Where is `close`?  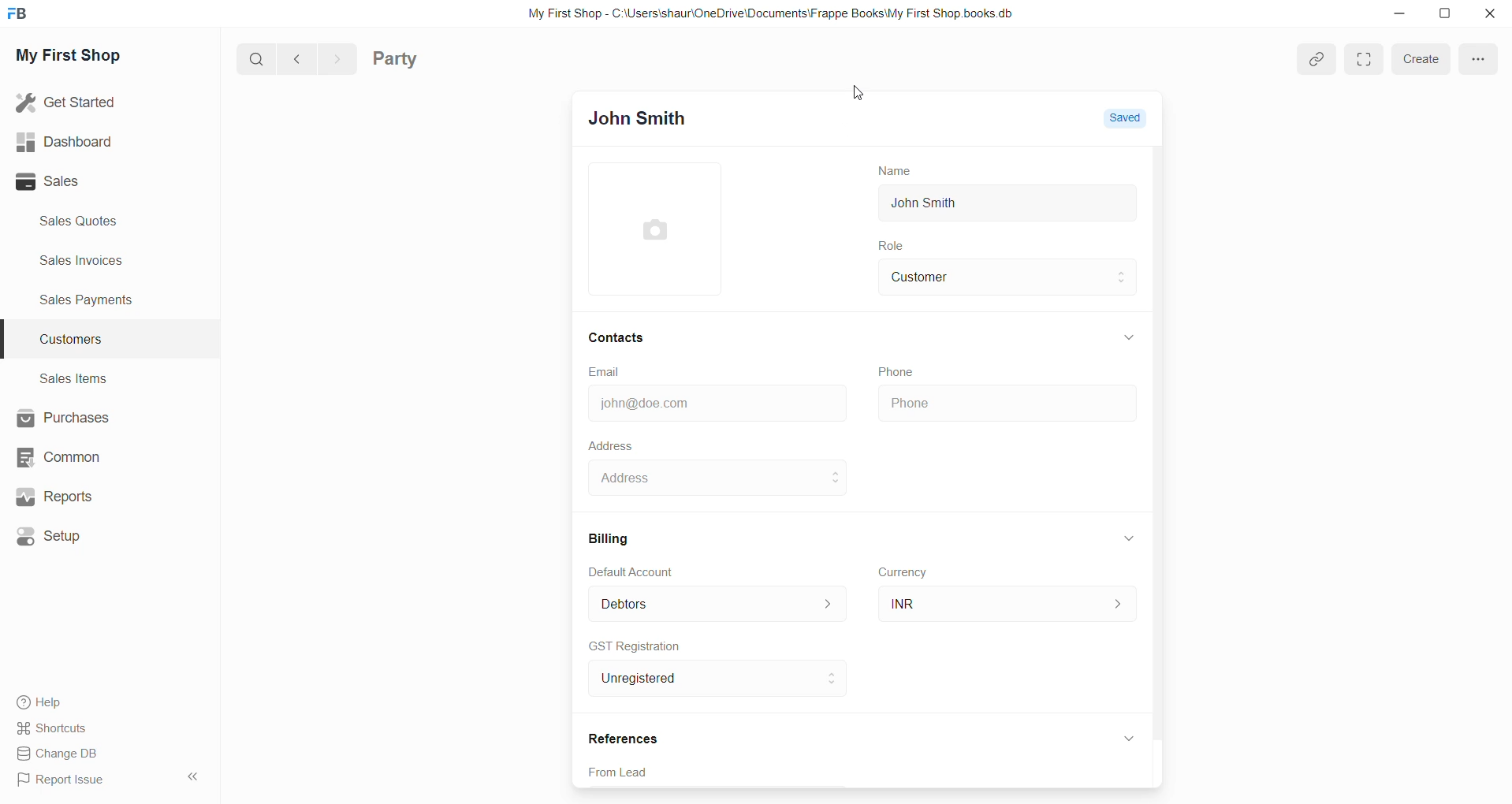
close is located at coordinates (1488, 14).